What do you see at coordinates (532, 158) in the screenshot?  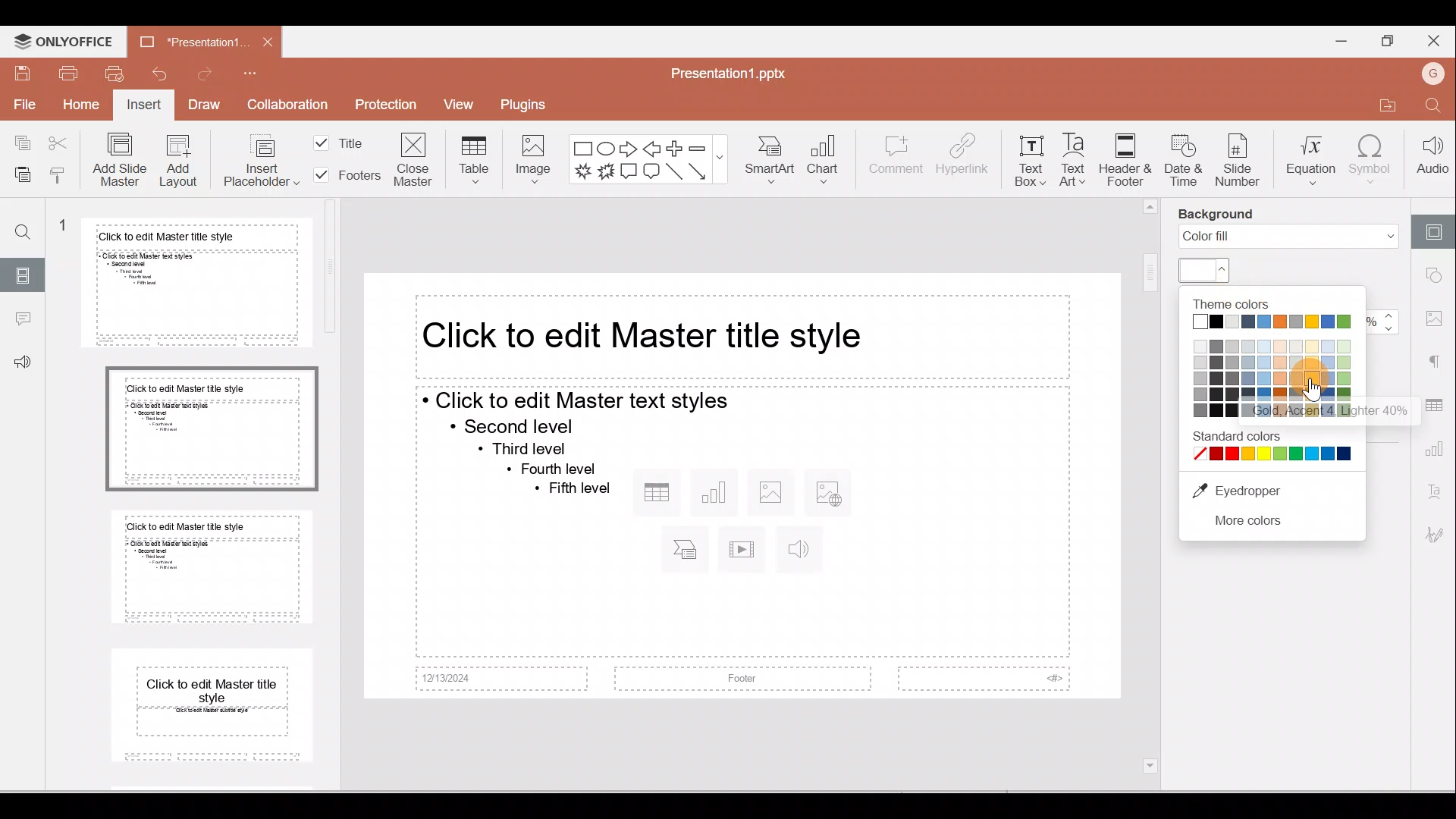 I see `Image` at bounding box center [532, 158].